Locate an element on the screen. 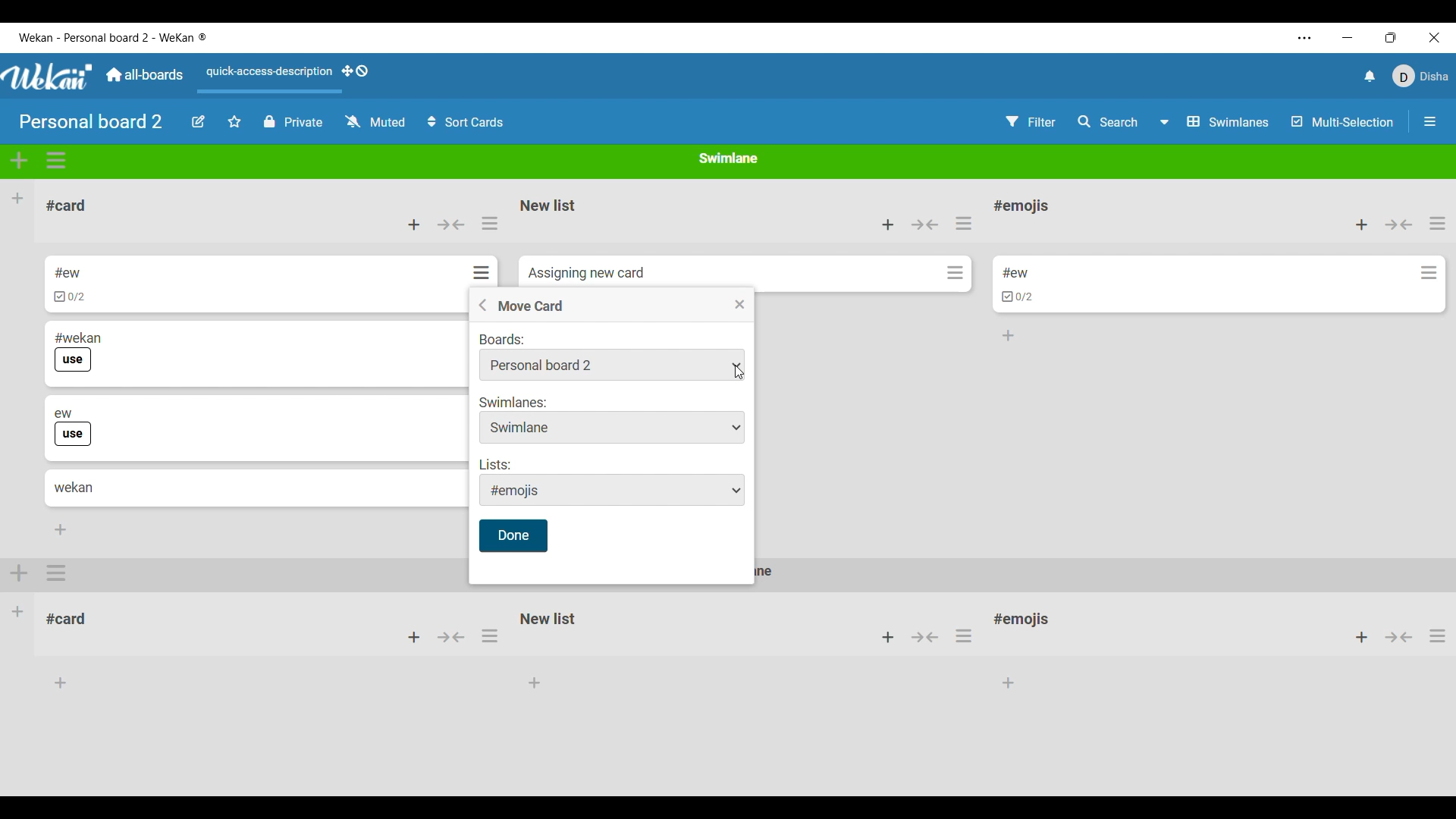 The width and height of the screenshot is (1456, 819).  is located at coordinates (1400, 639).